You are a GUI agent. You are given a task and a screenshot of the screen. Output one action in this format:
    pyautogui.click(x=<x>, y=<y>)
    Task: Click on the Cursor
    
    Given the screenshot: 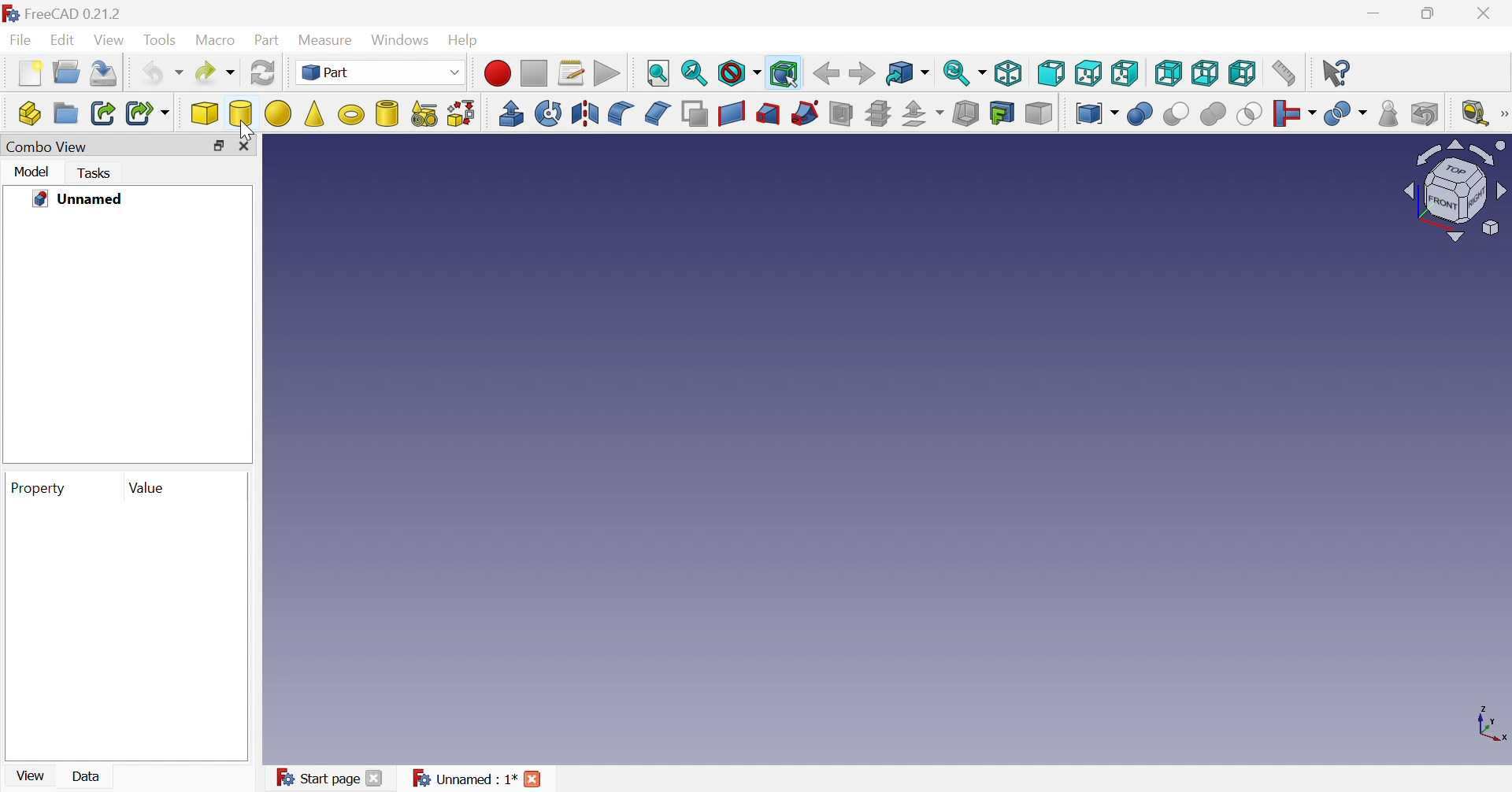 What is the action you would take?
    pyautogui.click(x=253, y=134)
    